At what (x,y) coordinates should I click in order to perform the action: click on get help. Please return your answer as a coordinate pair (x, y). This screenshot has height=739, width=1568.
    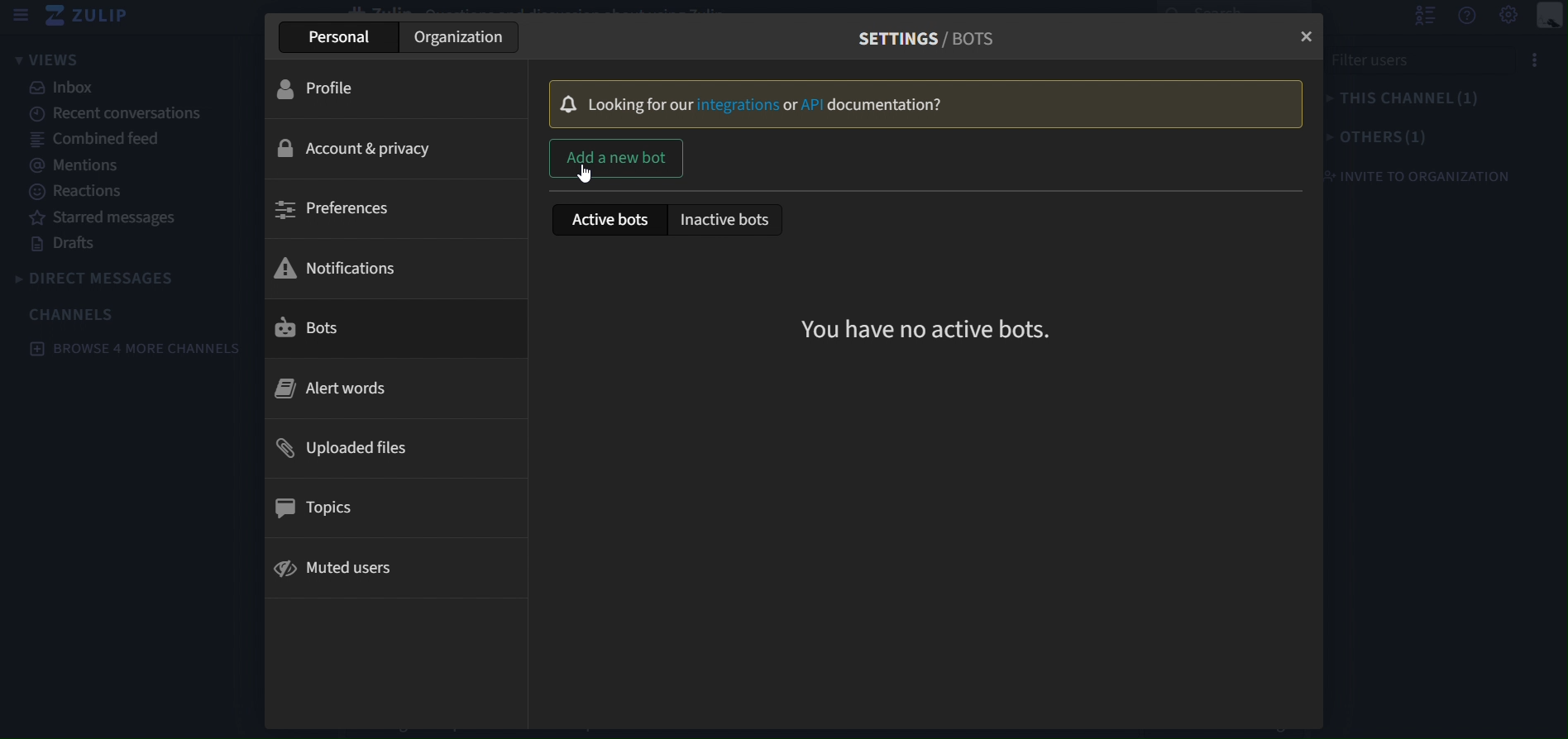
    Looking at the image, I should click on (1466, 17).